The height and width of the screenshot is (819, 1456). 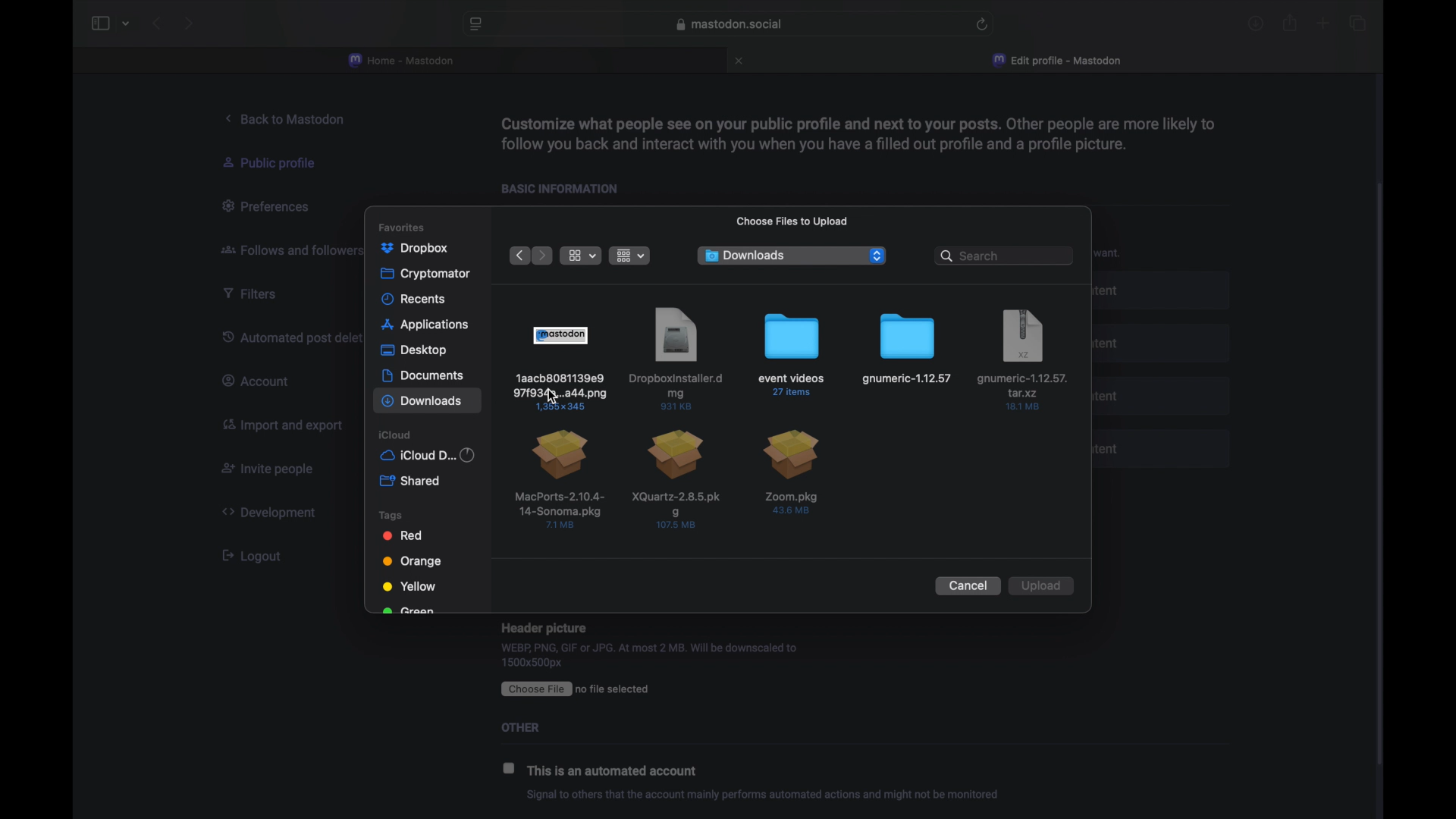 What do you see at coordinates (907, 350) in the screenshot?
I see `file` at bounding box center [907, 350].